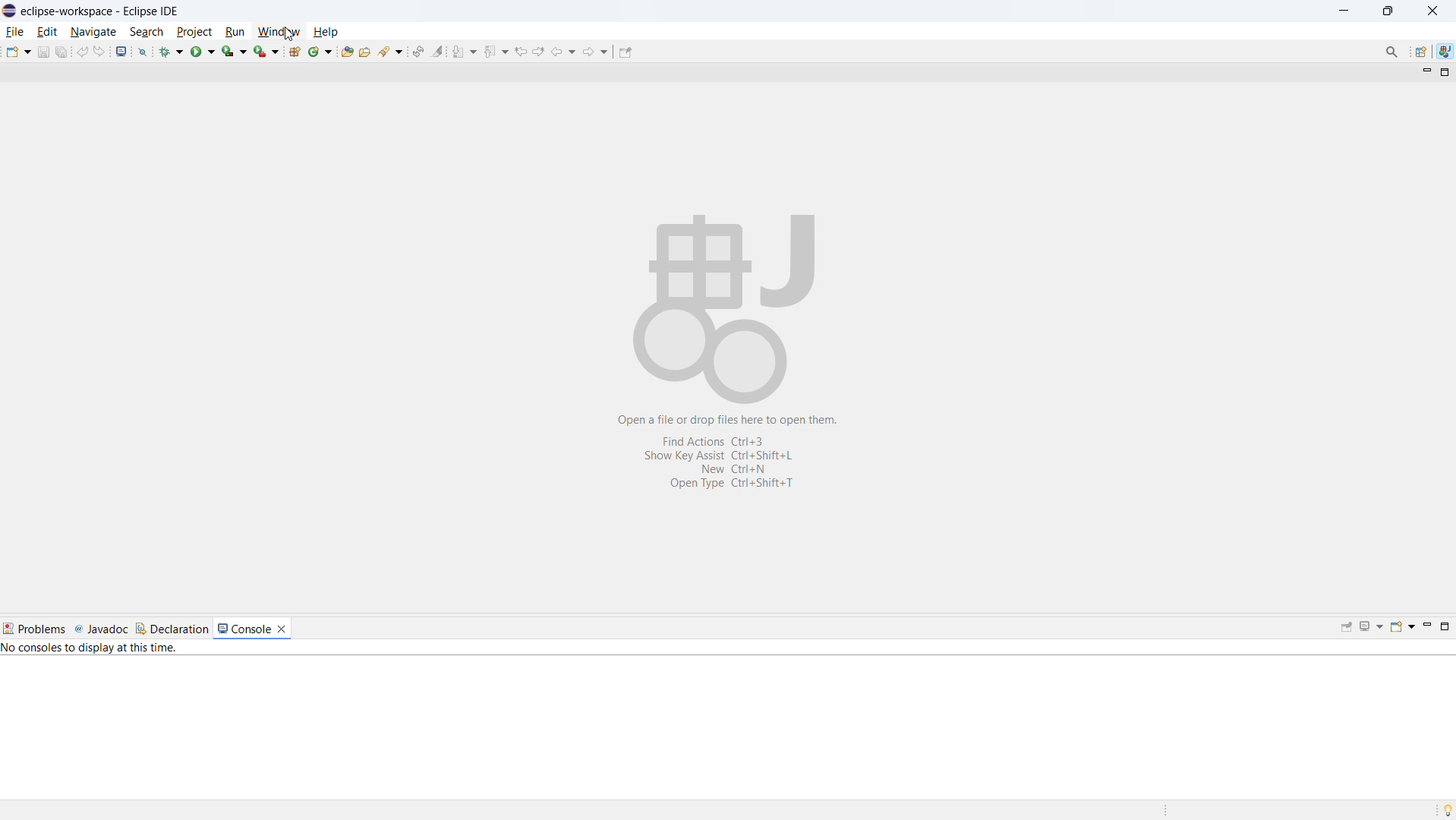 The width and height of the screenshot is (1456, 820). I want to click on open perspective, so click(1420, 52).